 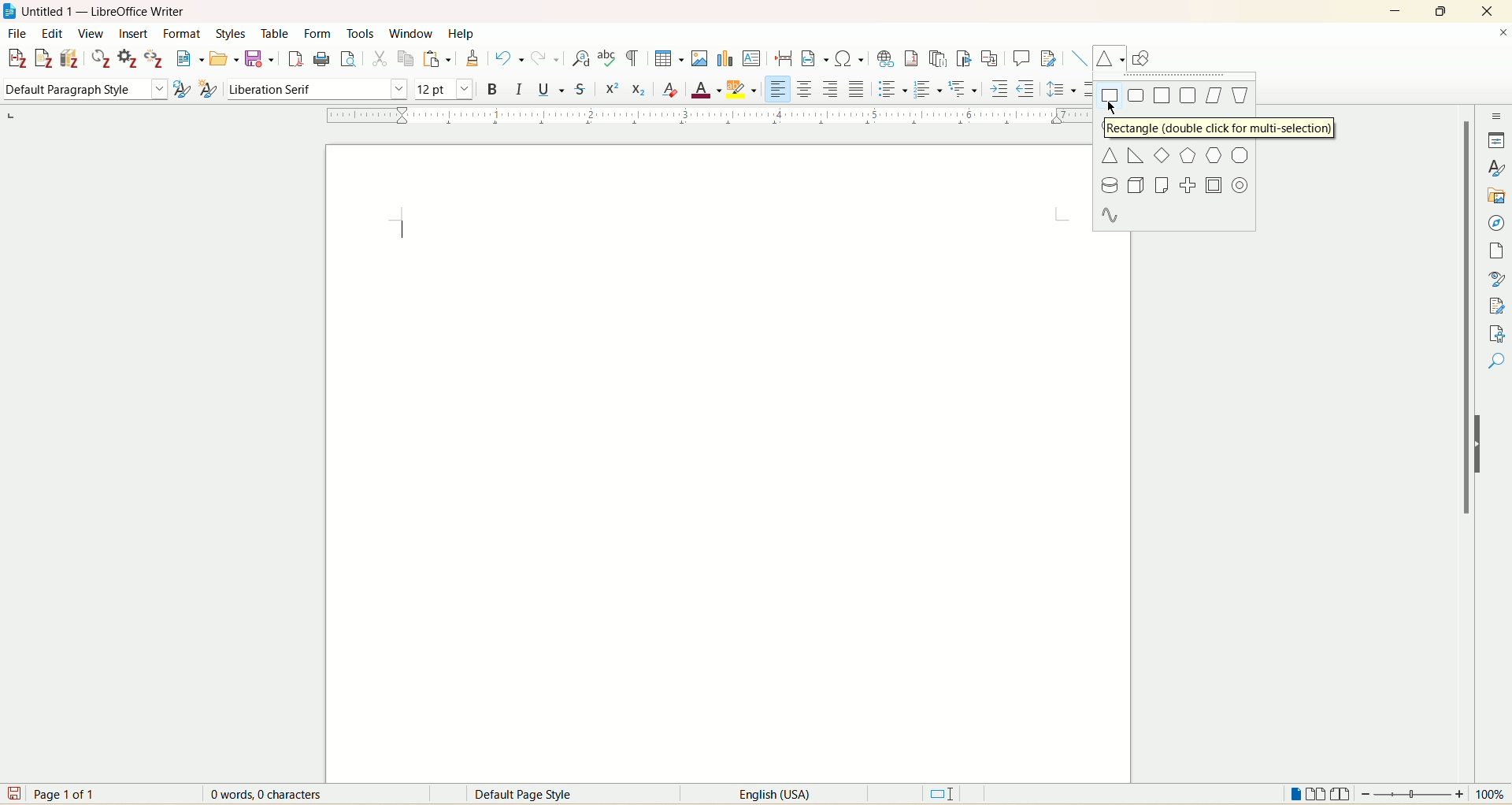 What do you see at coordinates (763, 794) in the screenshot?
I see `English(USA)` at bounding box center [763, 794].